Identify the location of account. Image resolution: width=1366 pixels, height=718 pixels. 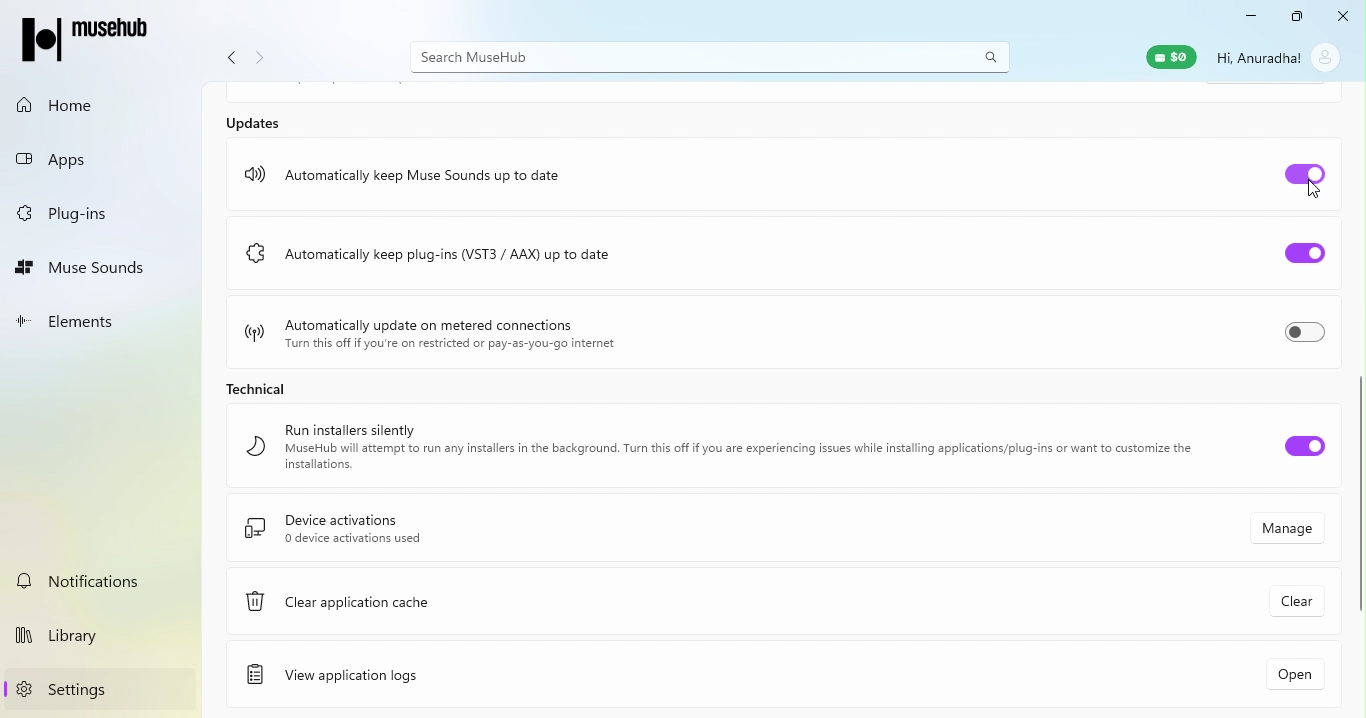
(1327, 57).